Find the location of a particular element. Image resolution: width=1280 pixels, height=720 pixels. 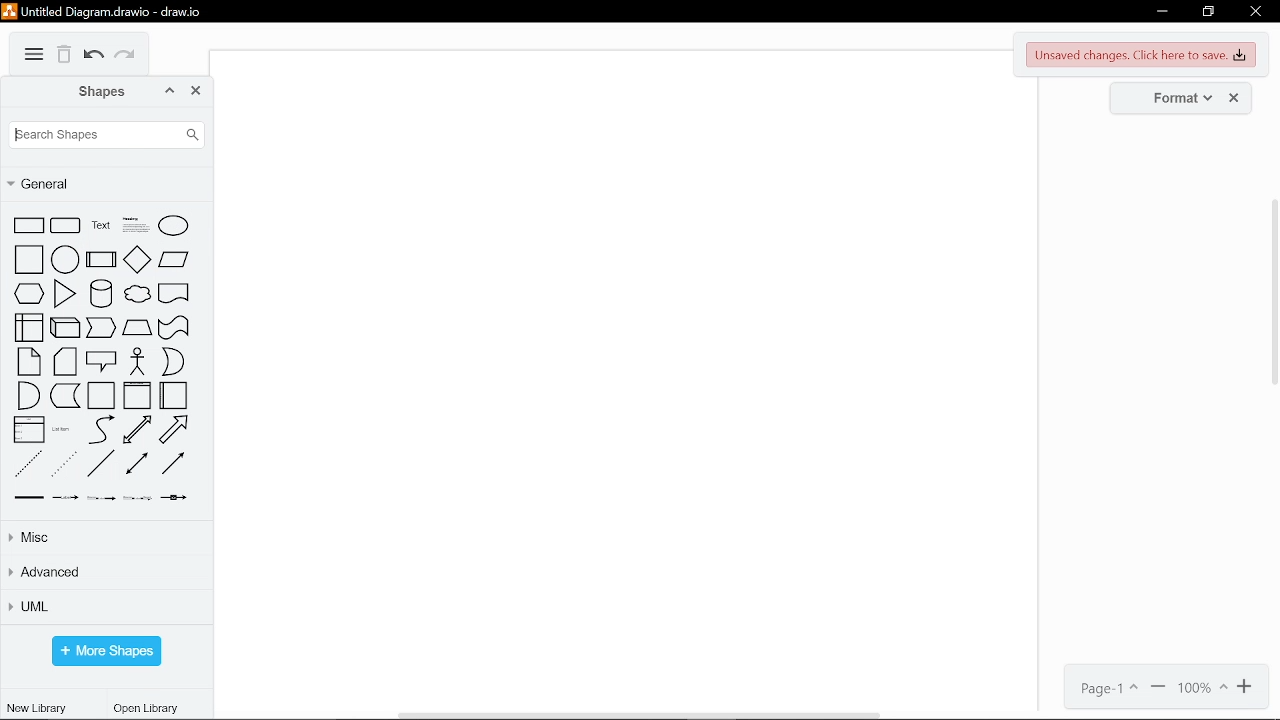

zoom out is located at coordinates (1159, 688).